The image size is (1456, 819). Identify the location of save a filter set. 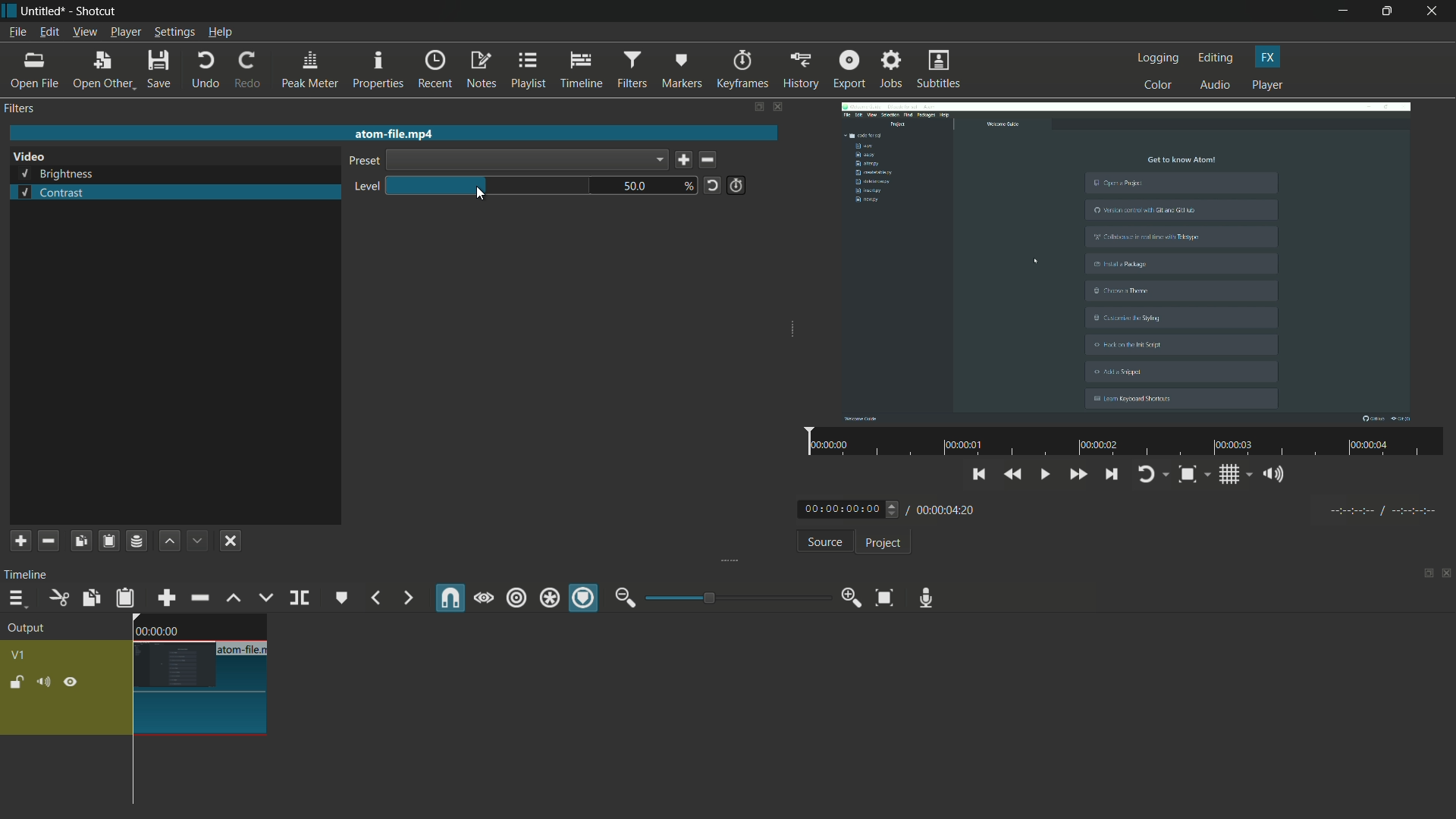
(136, 542).